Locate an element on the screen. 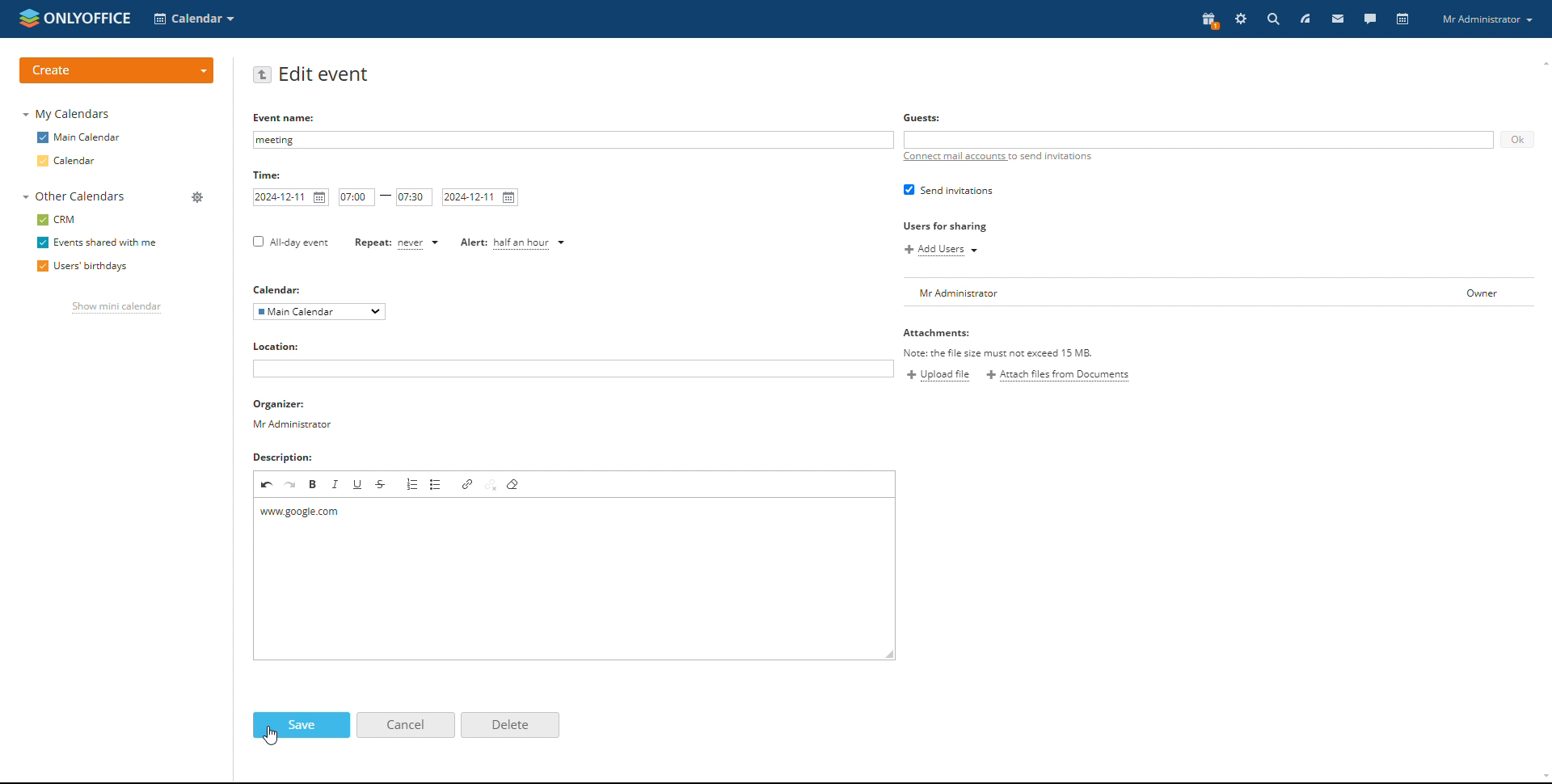  crm is located at coordinates (59, 219).